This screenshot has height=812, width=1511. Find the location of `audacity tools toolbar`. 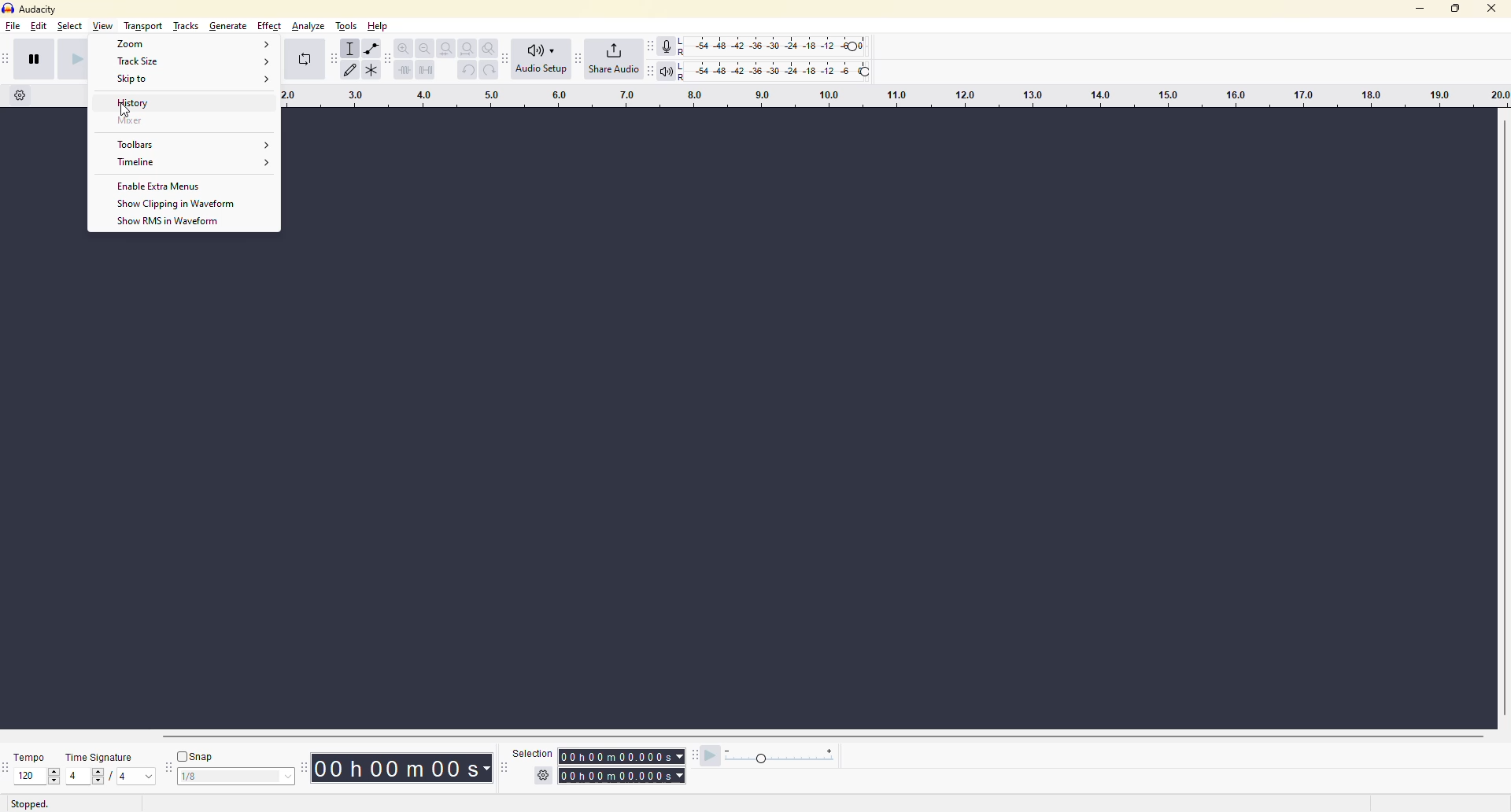

audacity tools toolbar is located at coordinates (508, 57).